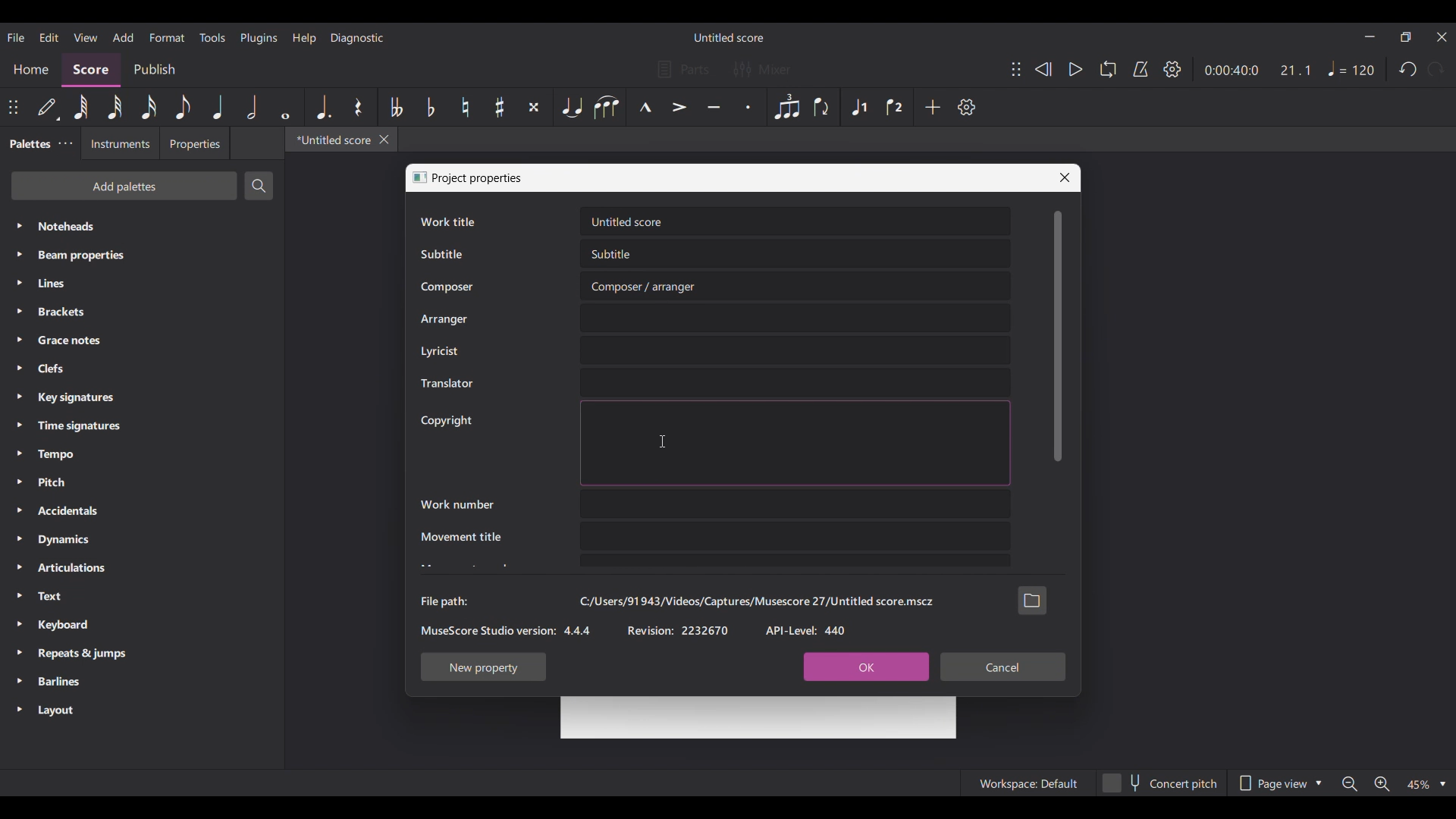 This screenshot has width=1456, height=819. Describe the element at coordinates (795, 318) in the screenshot. I see `Text box for Arranger` at that location.